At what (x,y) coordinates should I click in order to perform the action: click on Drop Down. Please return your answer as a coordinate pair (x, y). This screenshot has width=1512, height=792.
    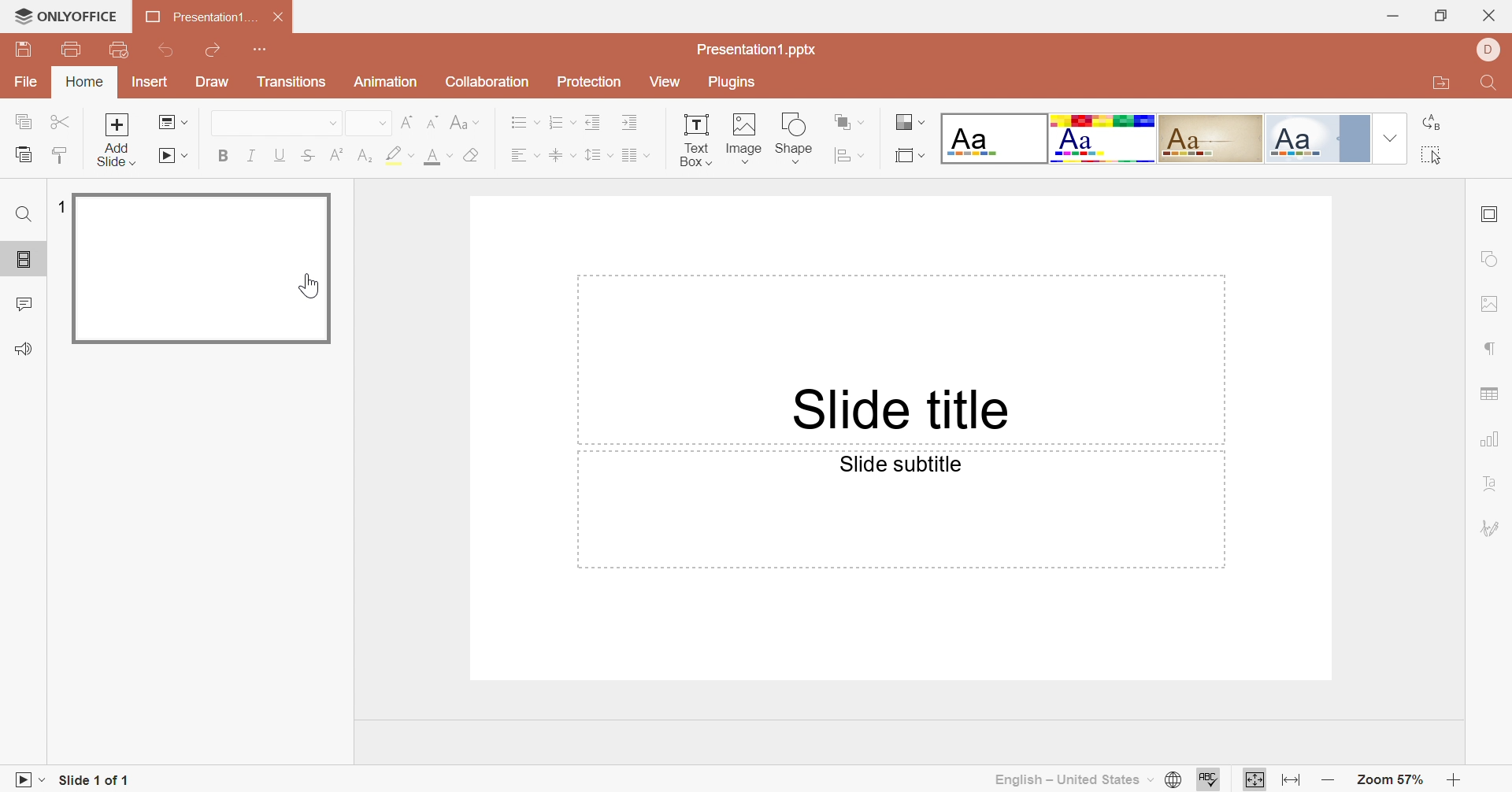
    Looking at the image, I should click on (925, 155).